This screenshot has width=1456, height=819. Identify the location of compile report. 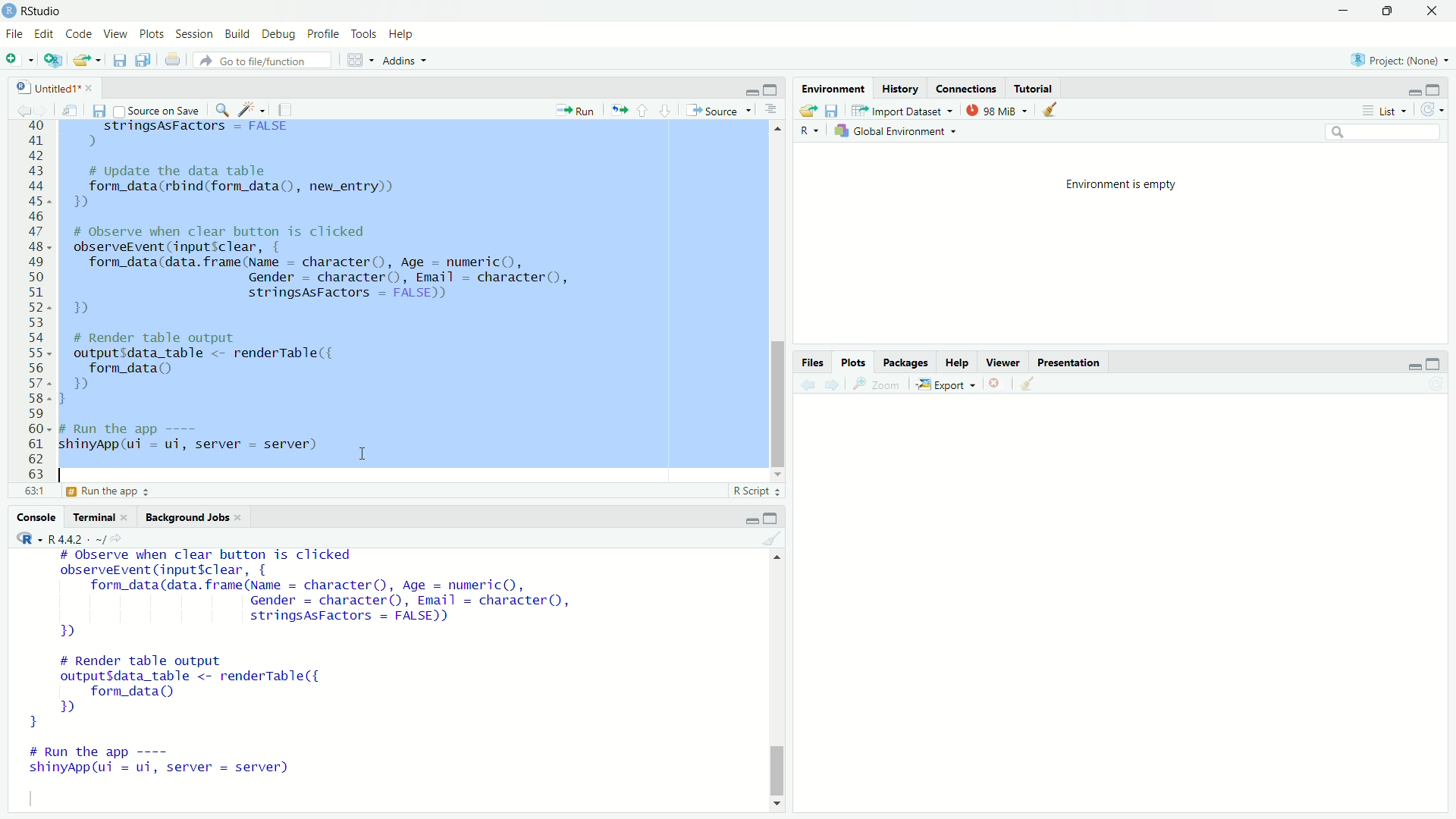
(288, 109).